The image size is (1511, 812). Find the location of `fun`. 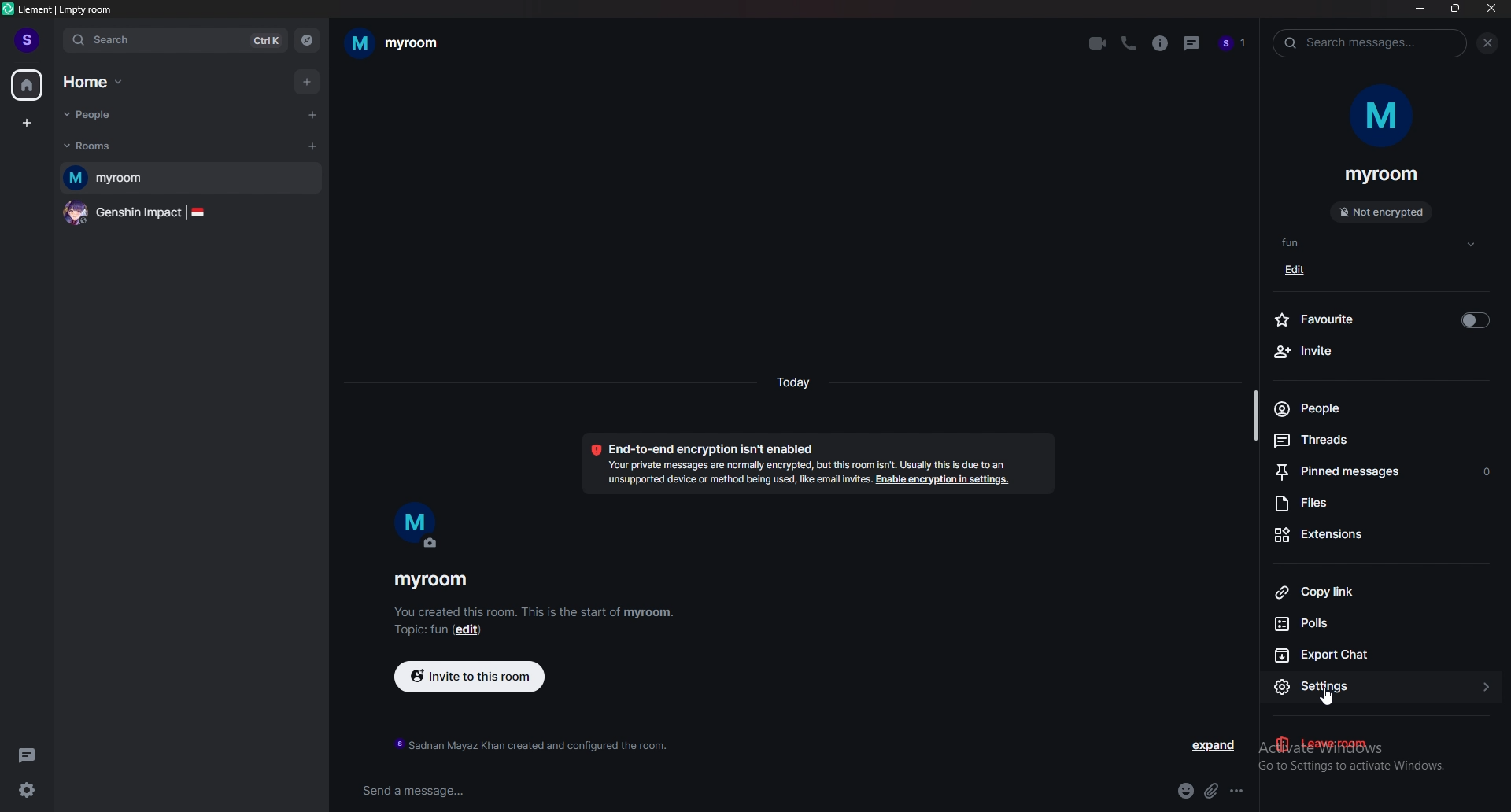

fun is located at coordinates (1381, 244).